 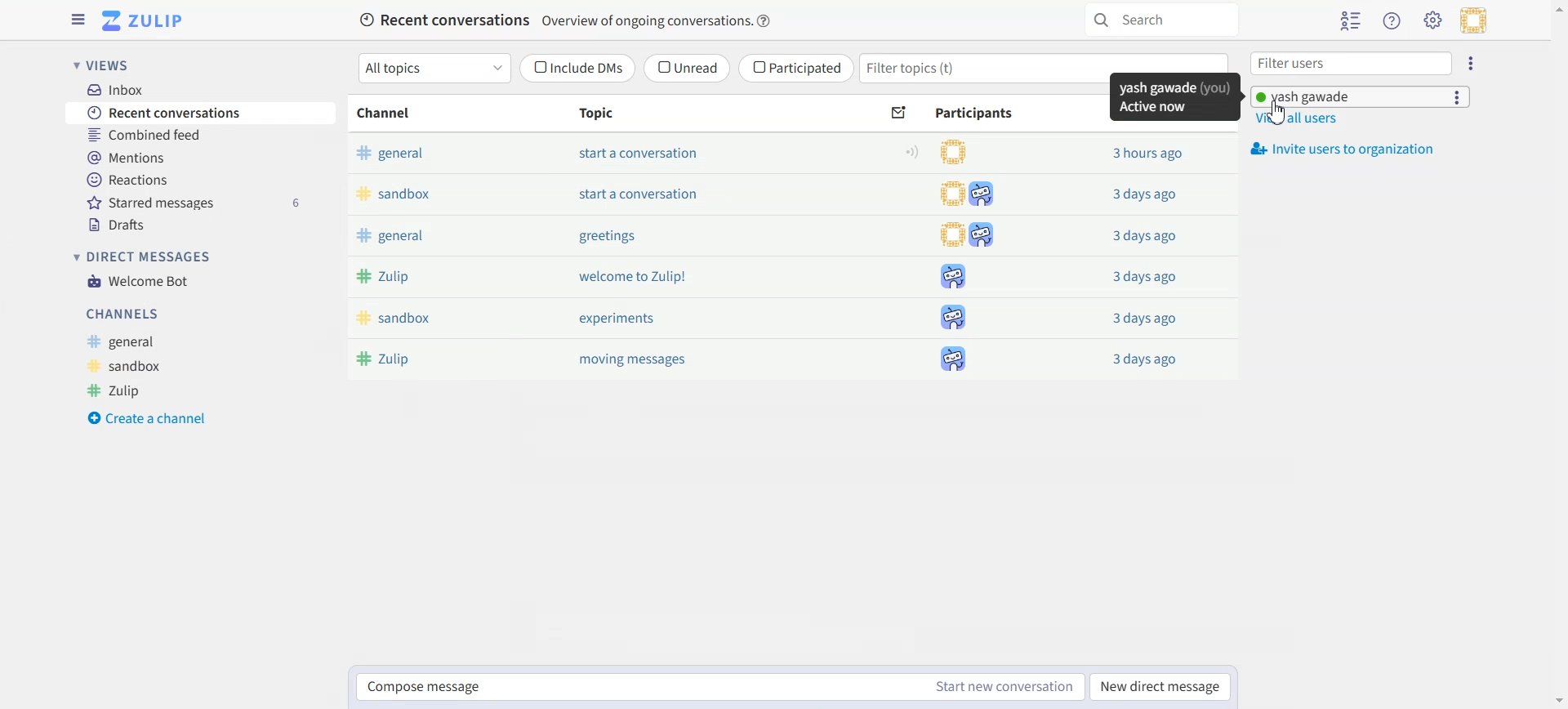 What do you see at coordinates (149, 21) in the screenshot?
I see `Go to Home View` at bounding box center [149, 21].